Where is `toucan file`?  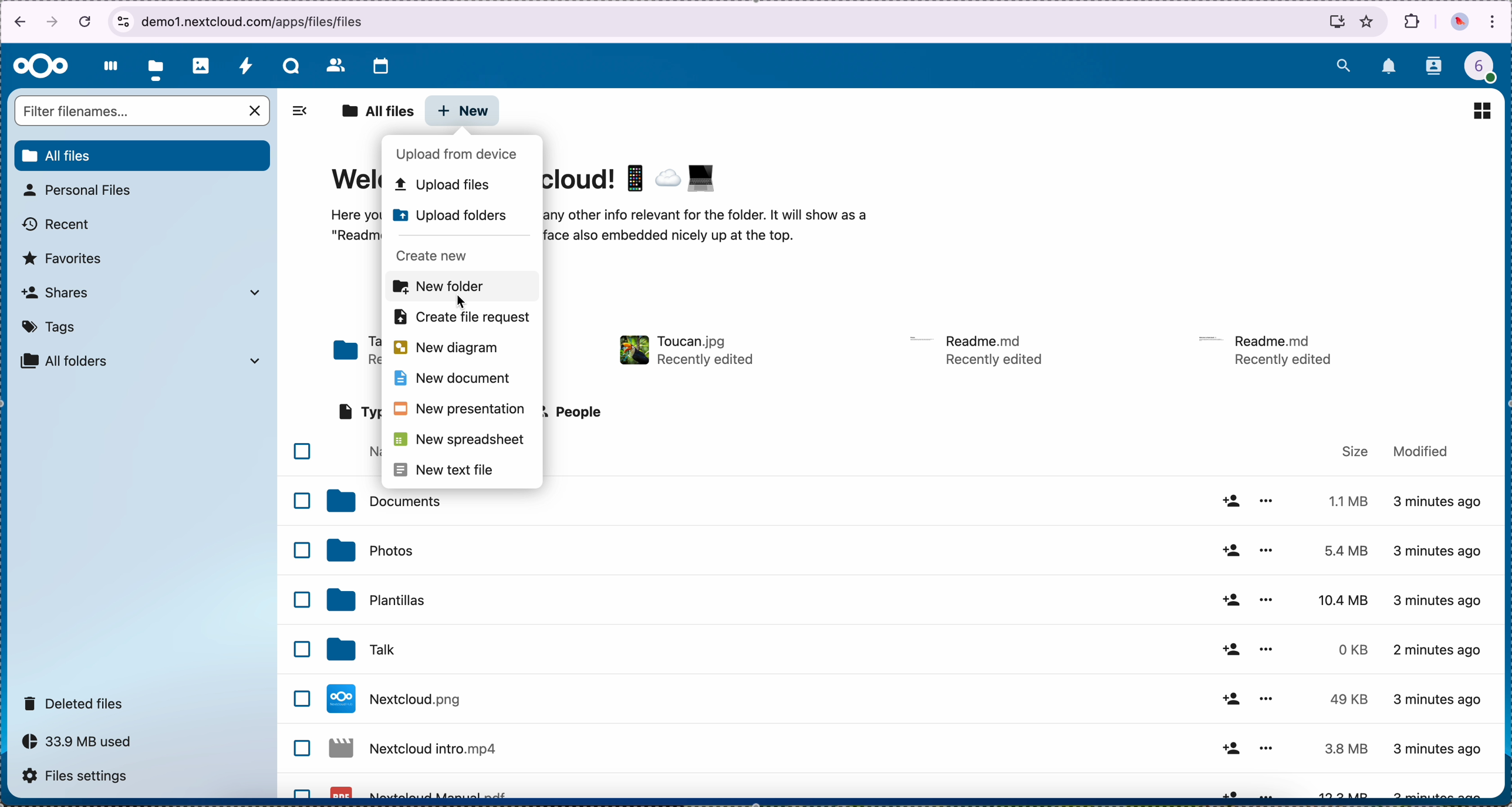
toucan file is located at coordinates (683, 350).